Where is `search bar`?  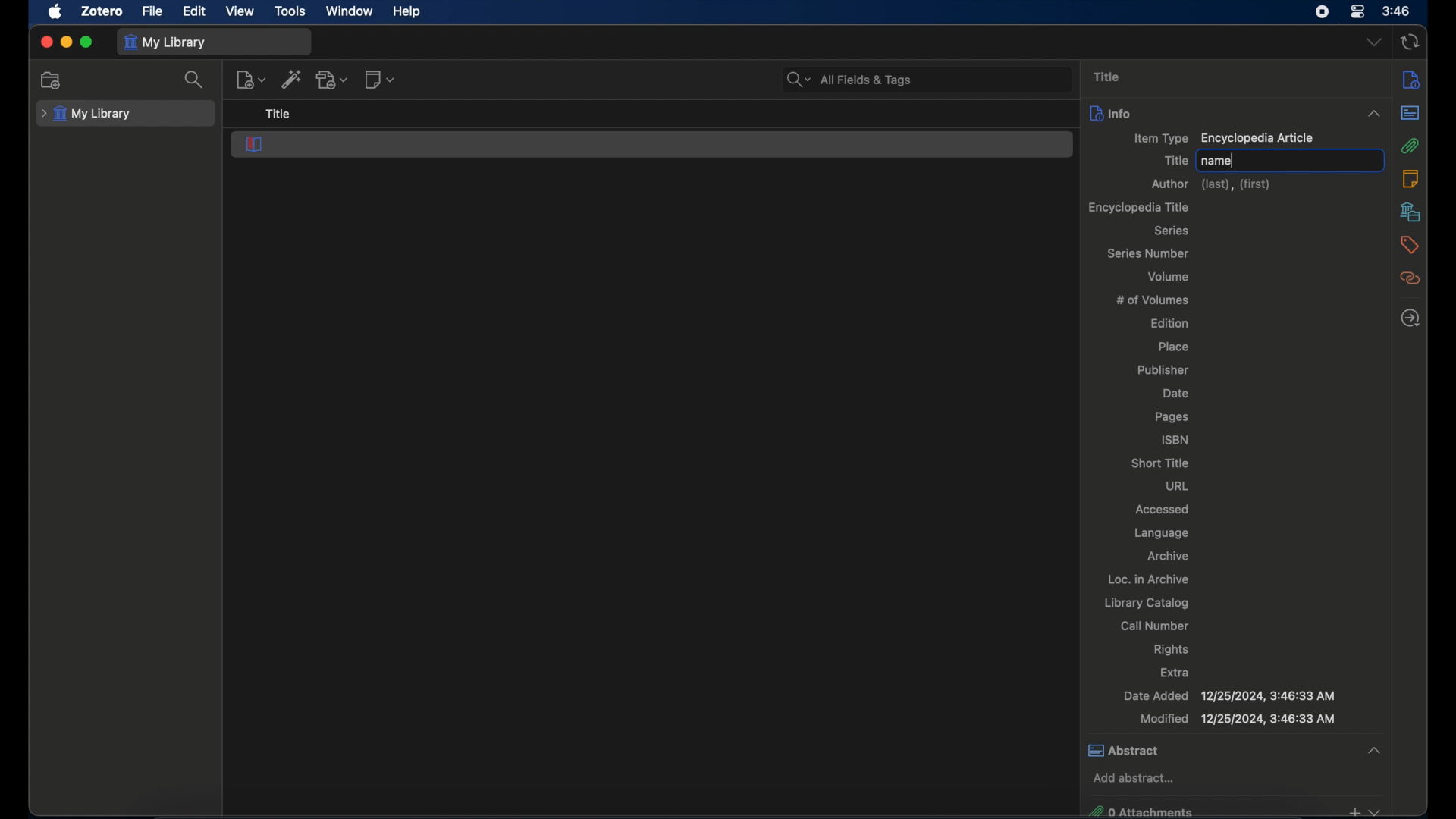 search bar is located at coordinates (850, 80).